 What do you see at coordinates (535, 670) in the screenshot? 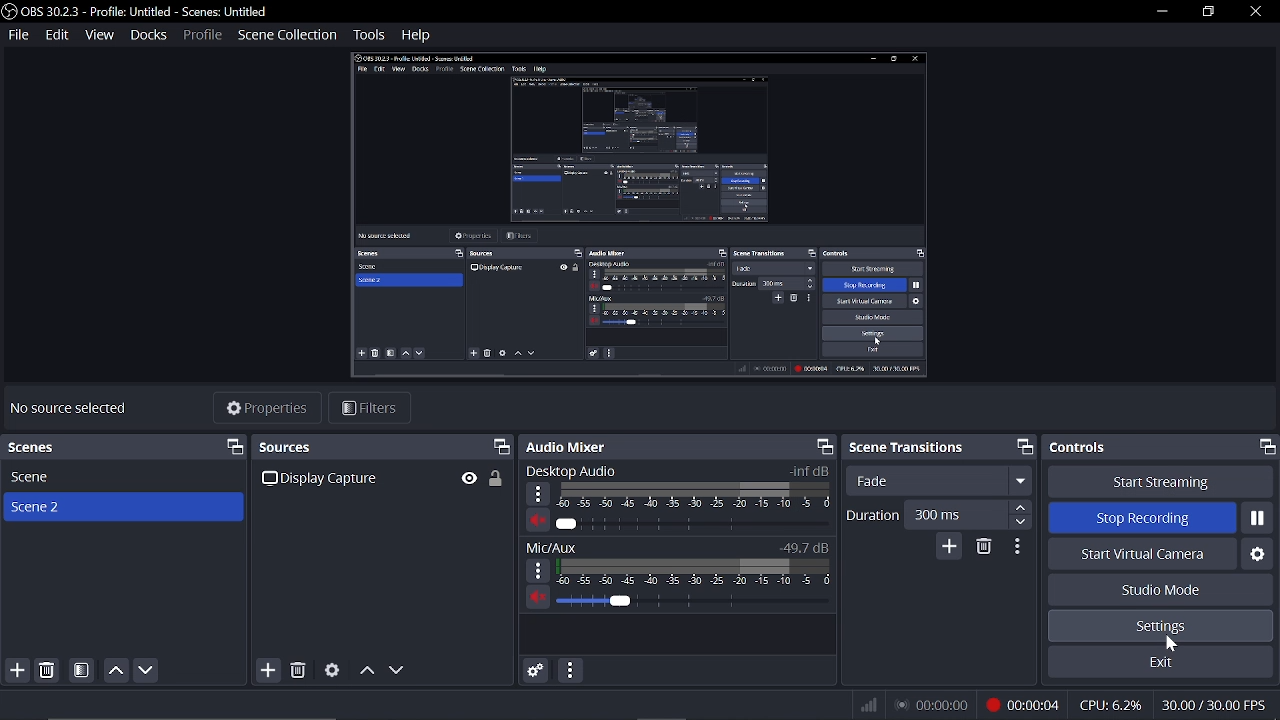
I see `advanced audio properties` at bounding box center [535, 670].